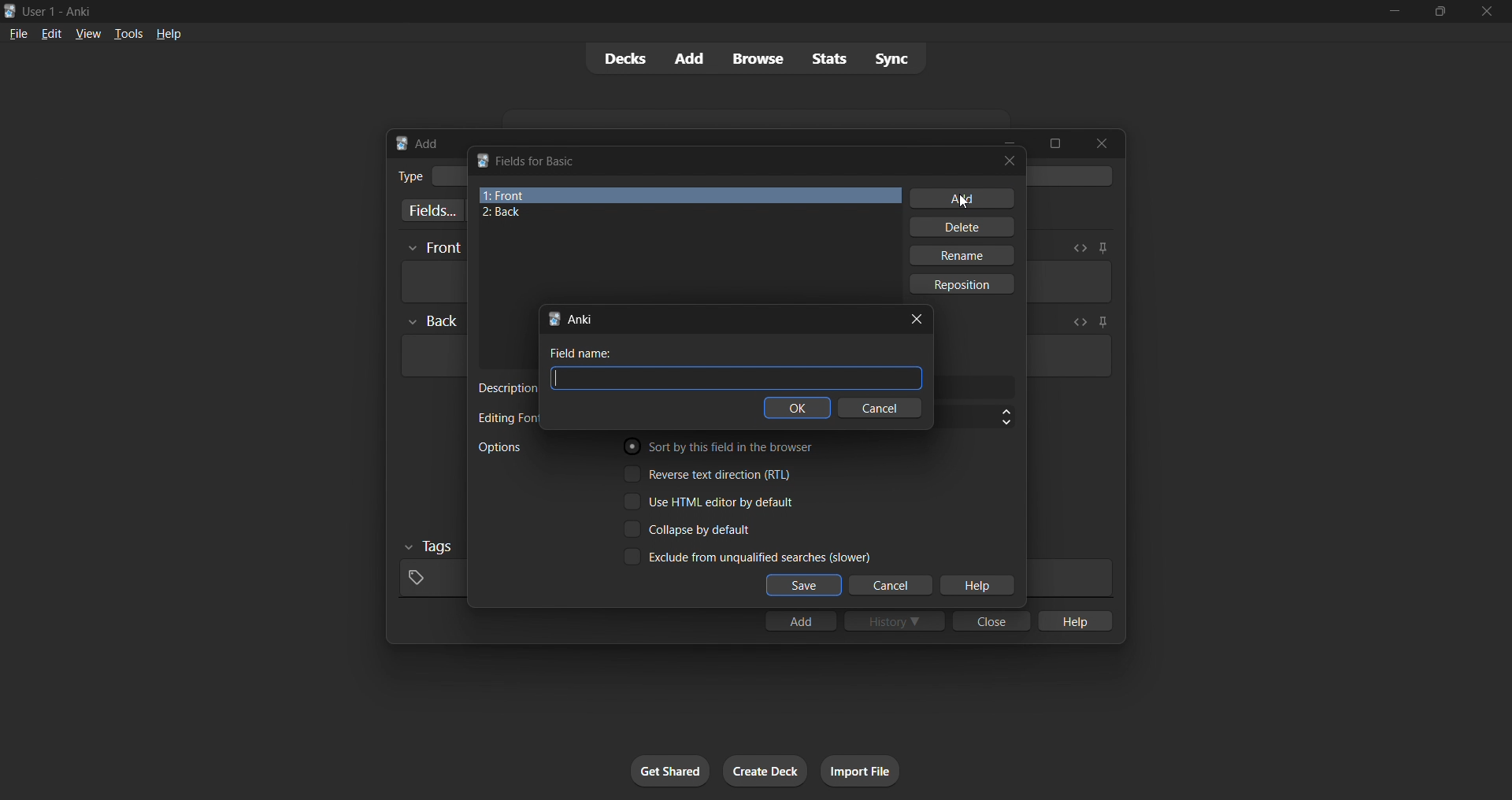 The image size is (1512, 800). I want to click on customize fields title bar, so click(538, 161).